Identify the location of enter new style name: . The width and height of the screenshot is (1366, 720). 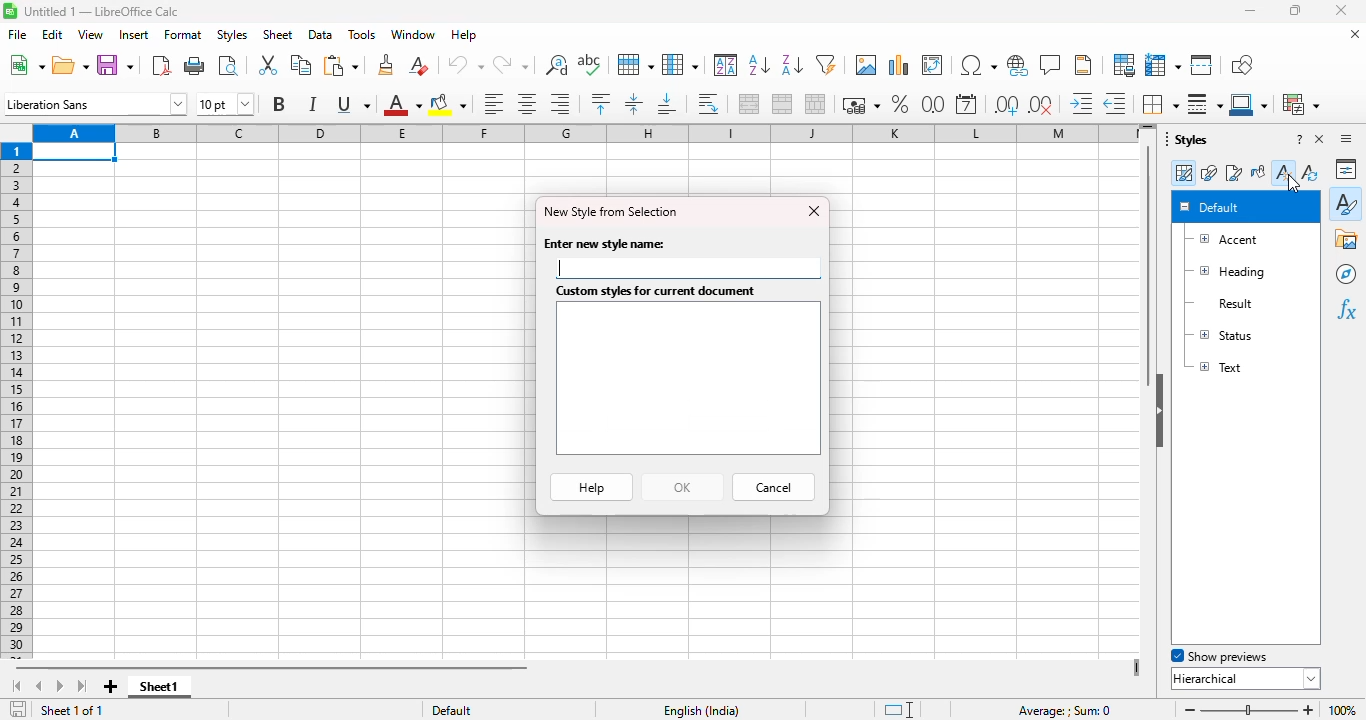
(604, 244).